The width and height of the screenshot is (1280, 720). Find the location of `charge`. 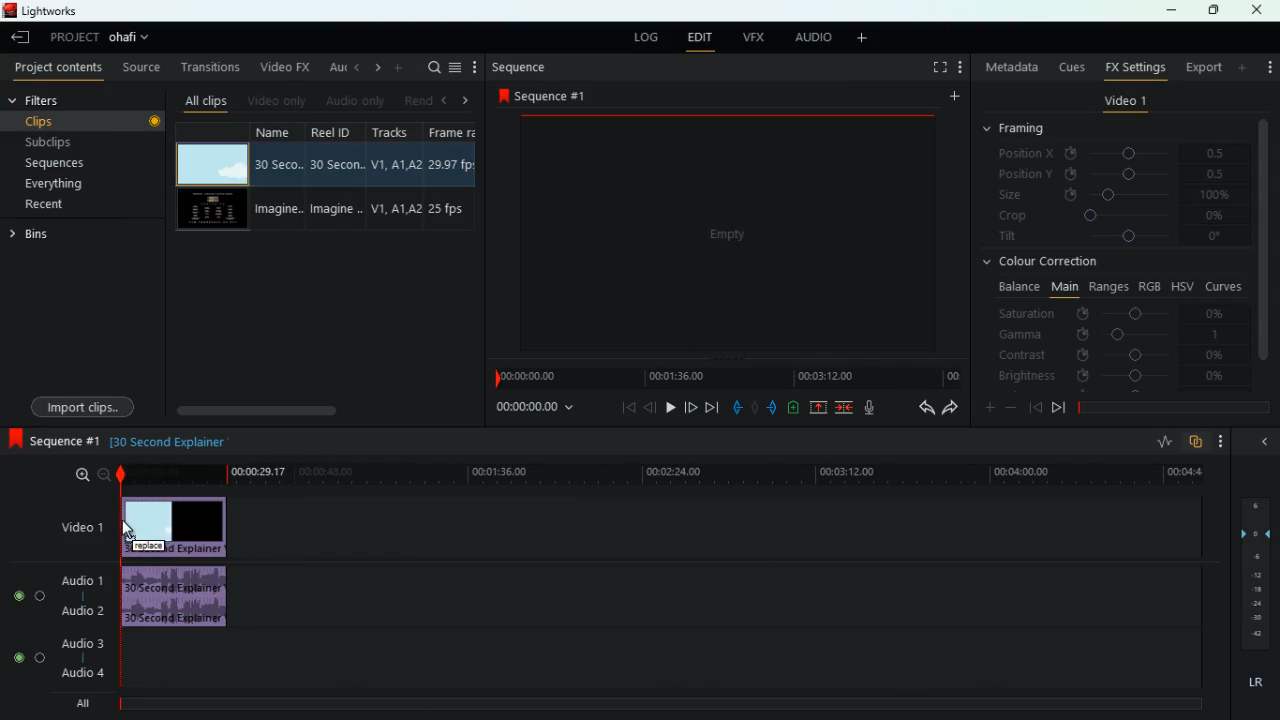

charge is located at coordinates (794, 408).